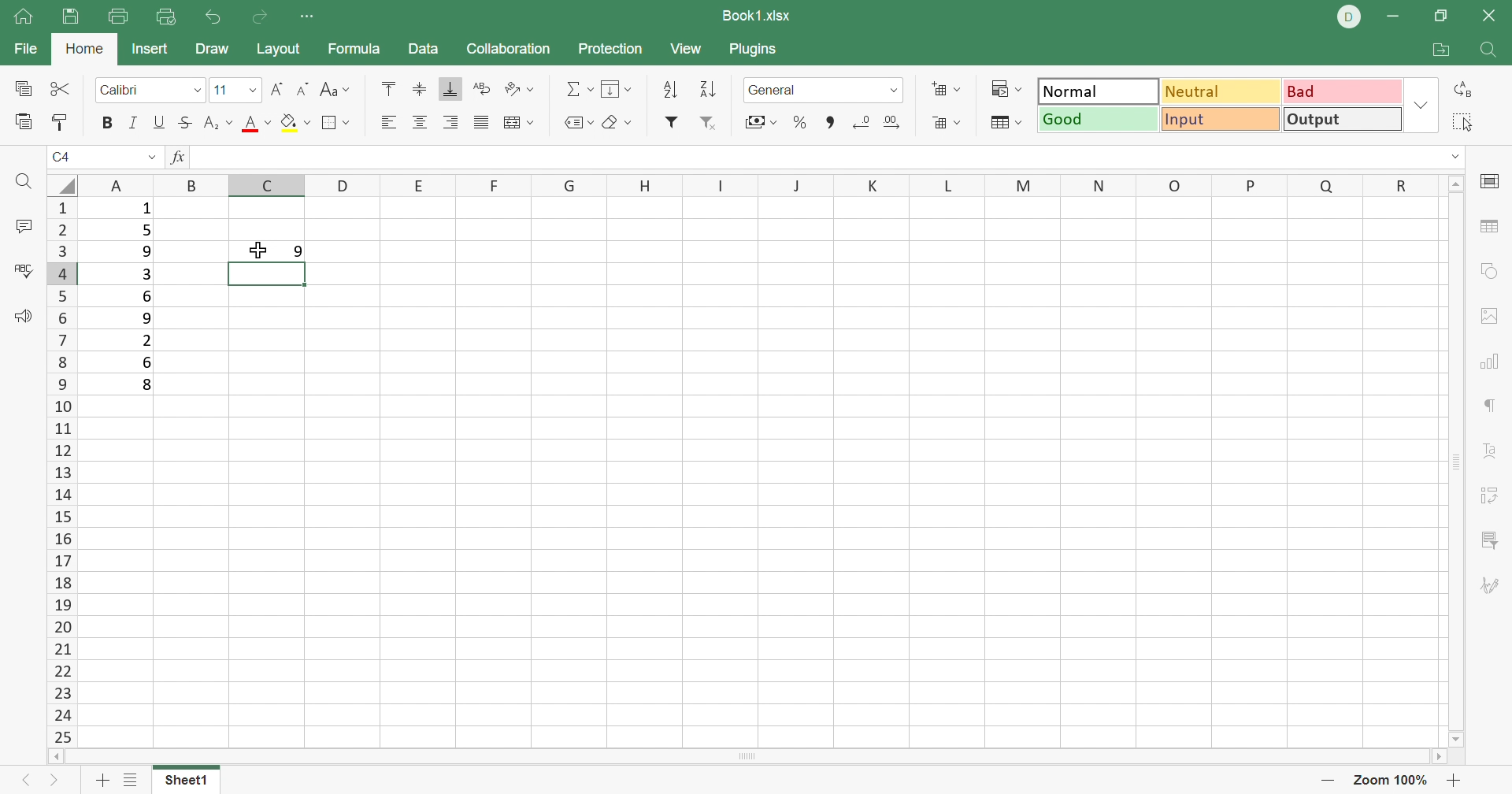  I want to click on Zoom in, so click(1453, 780).